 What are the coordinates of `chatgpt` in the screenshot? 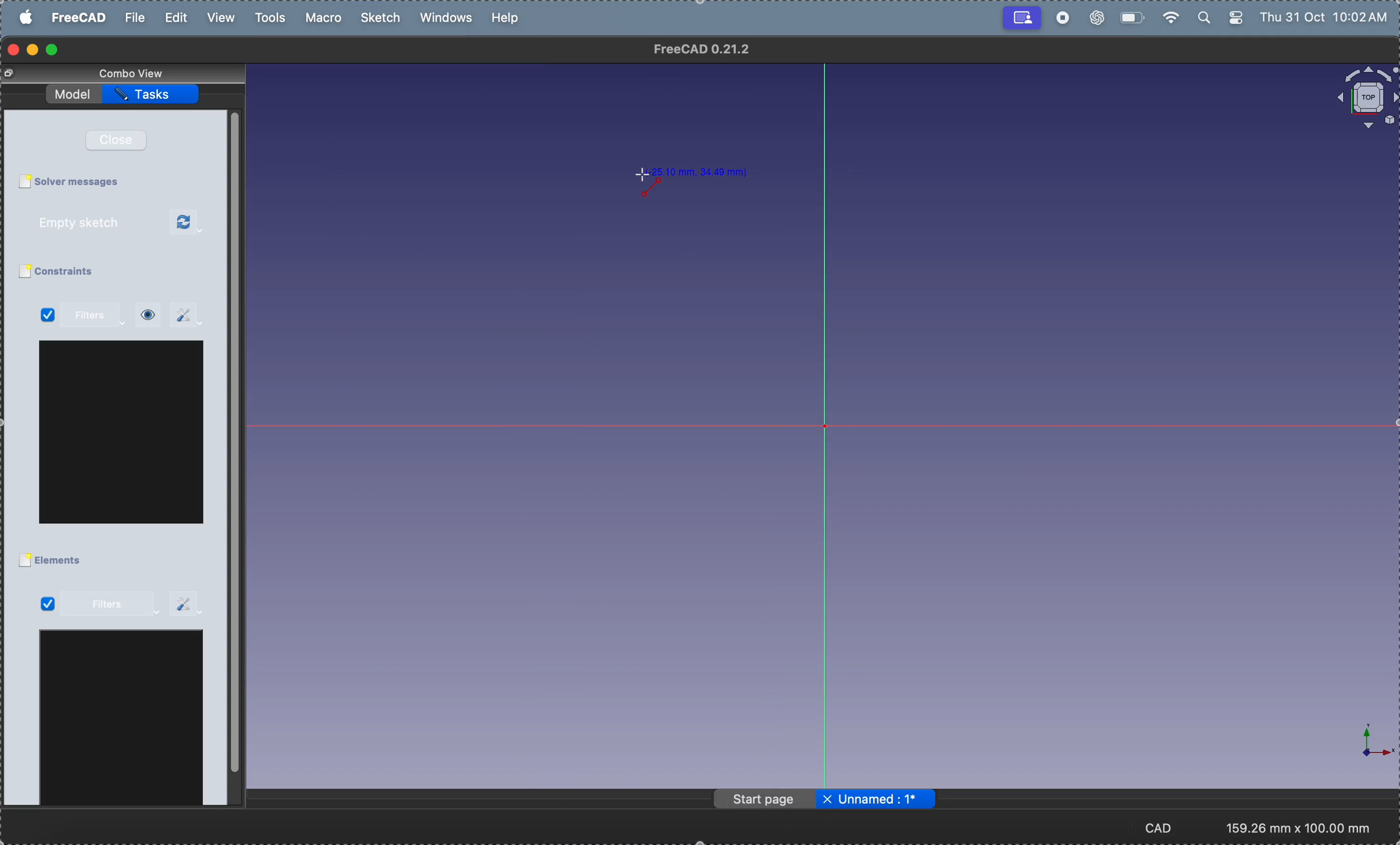 It's located at (1095, 19).